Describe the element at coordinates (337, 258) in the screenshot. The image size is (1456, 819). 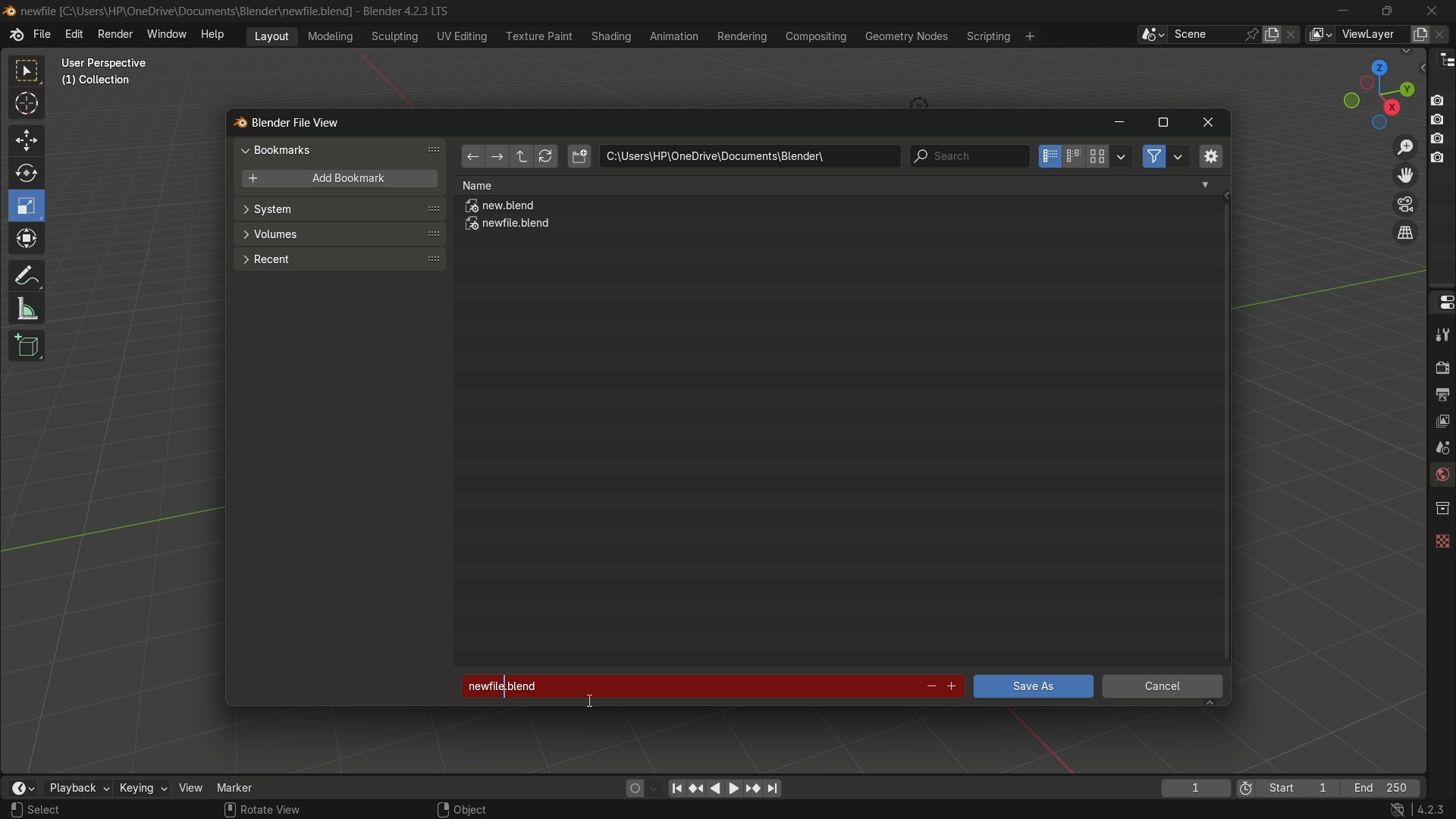
I see `recent` at that location.